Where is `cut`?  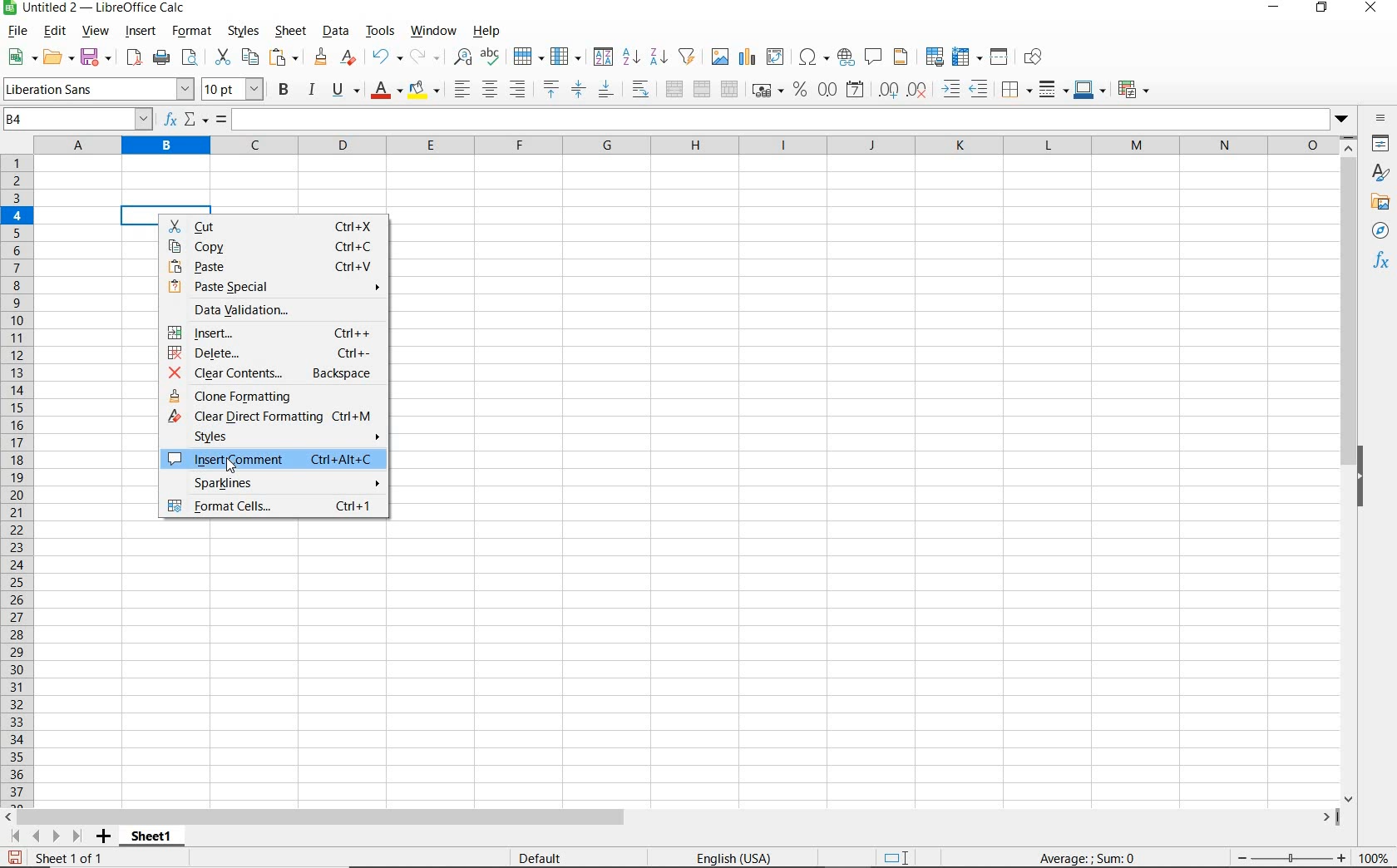 cut is located at coordinates (276, 224).